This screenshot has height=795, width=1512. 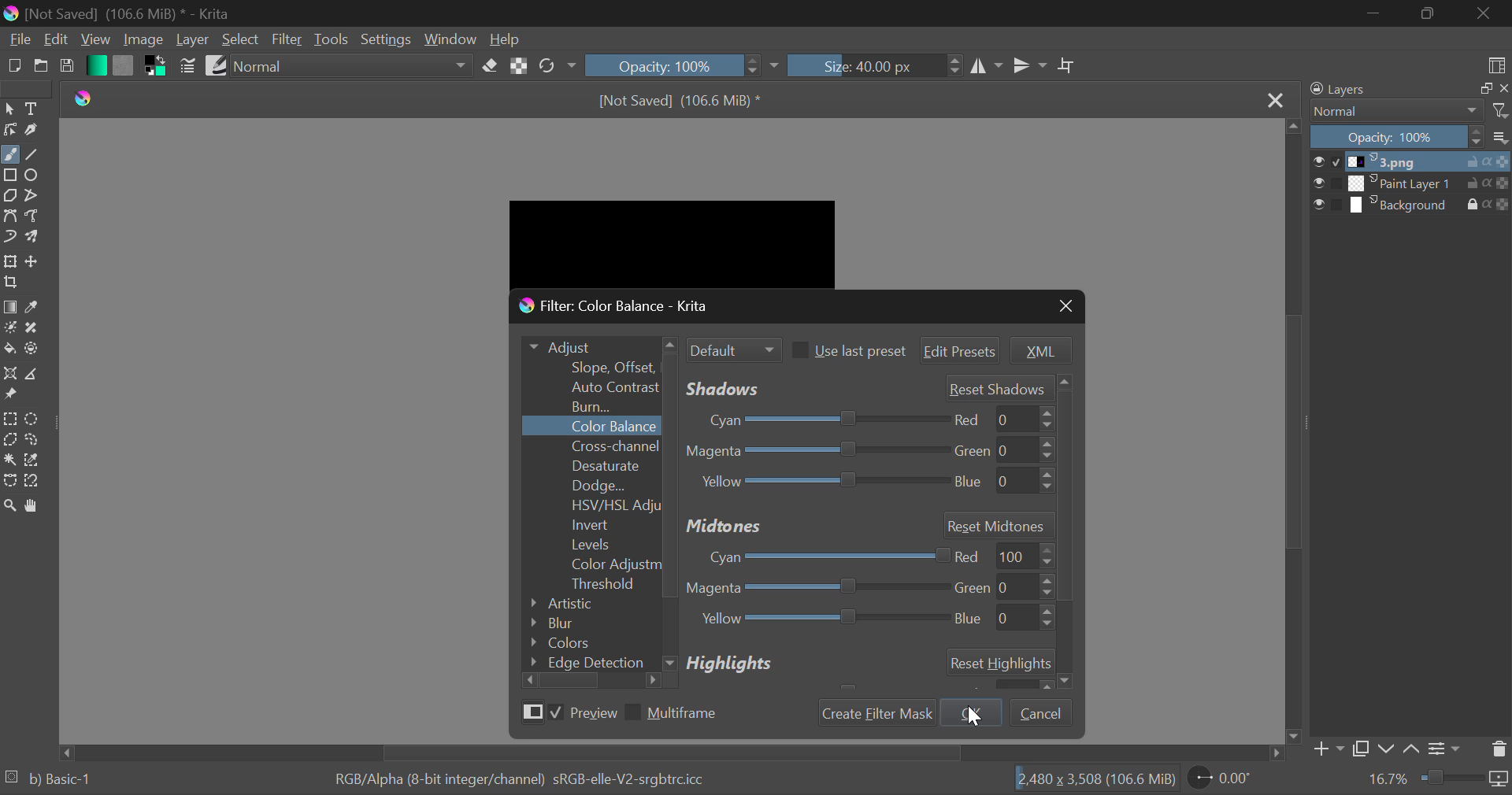 I want to click on Adjust, so click(x=597, y=348).